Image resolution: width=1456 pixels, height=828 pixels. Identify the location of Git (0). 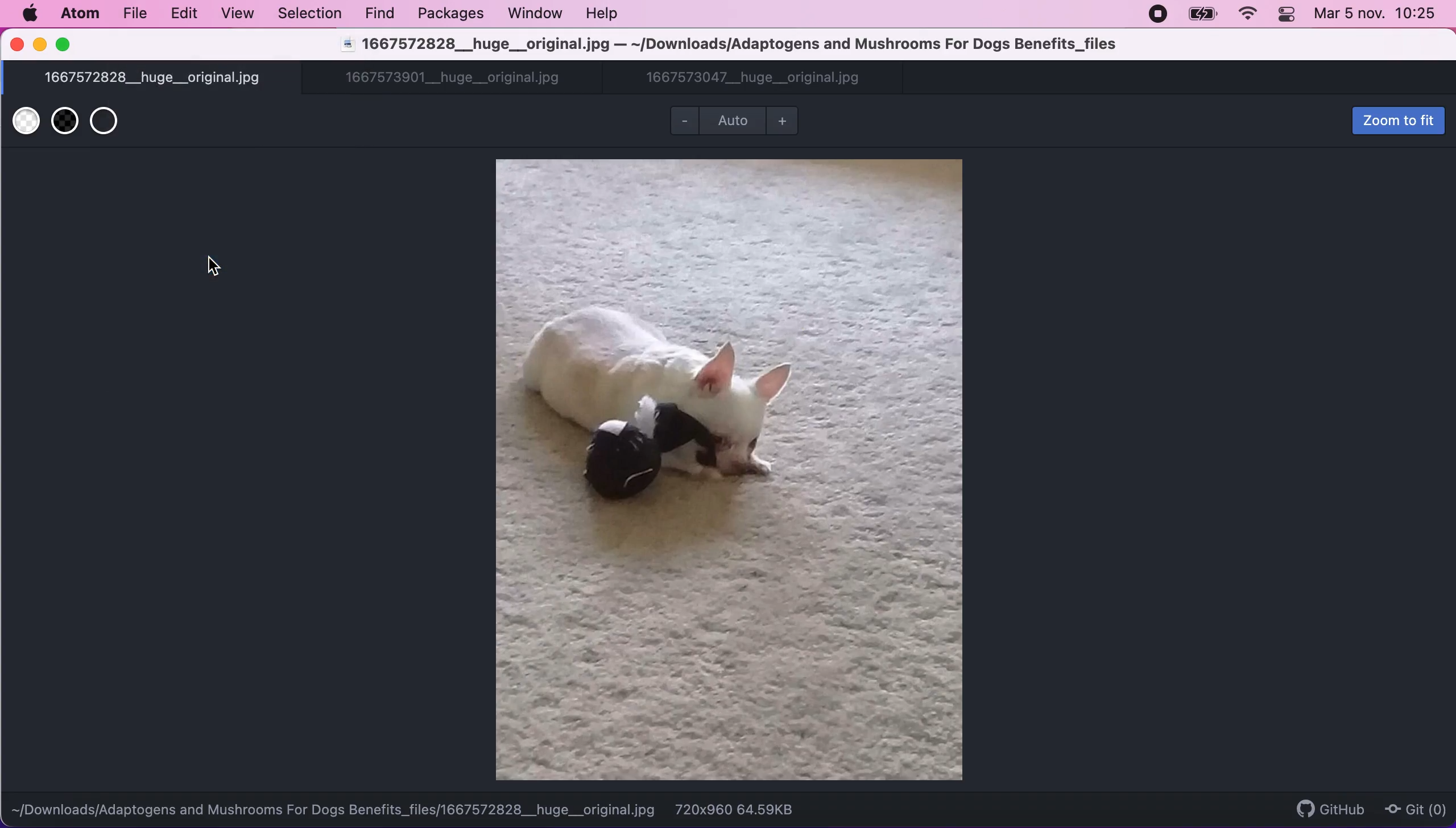
(1414, 808).